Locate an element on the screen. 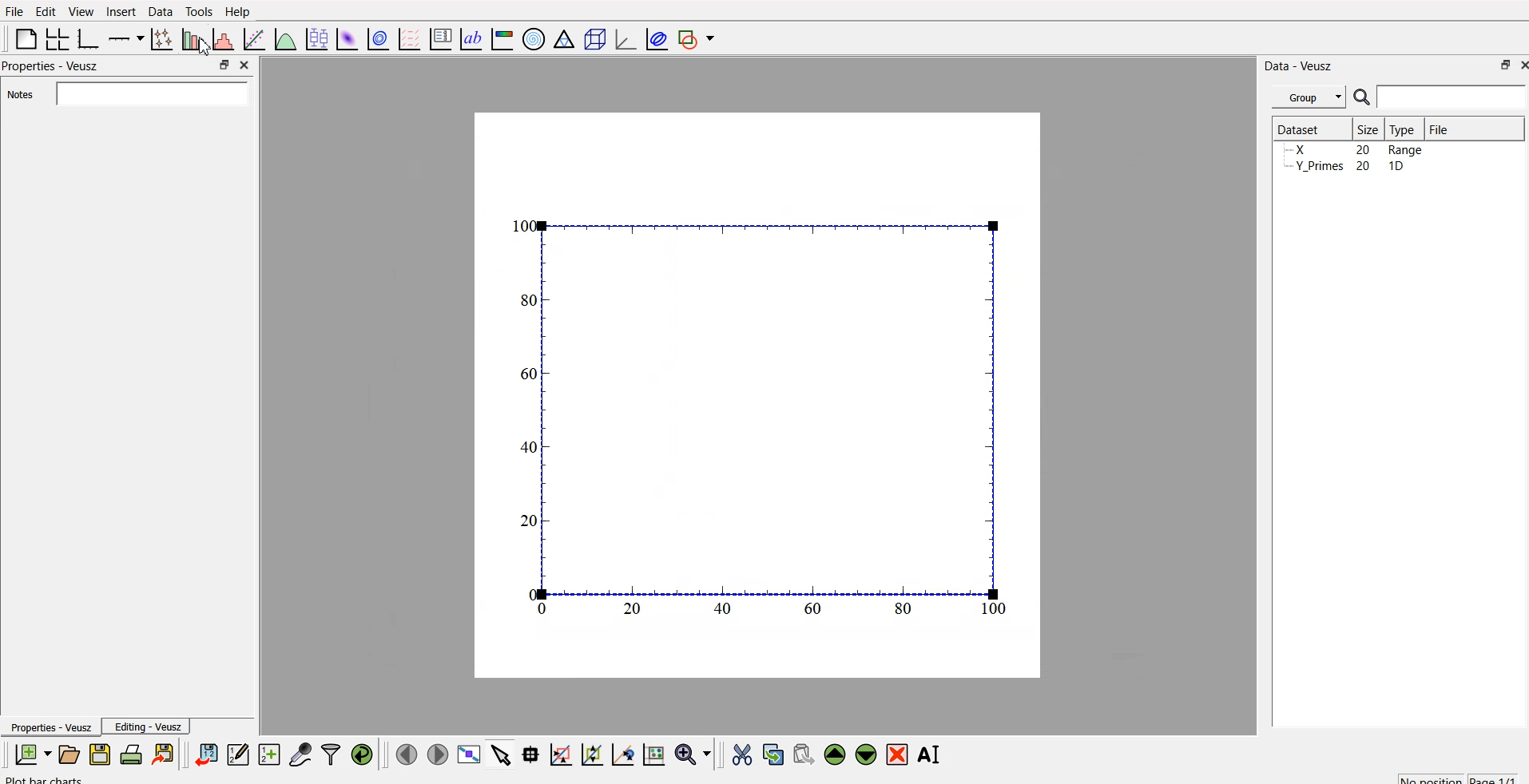 The width and height of the screenshot is (1529, 784). filter data is located at coordinates (331, 752).